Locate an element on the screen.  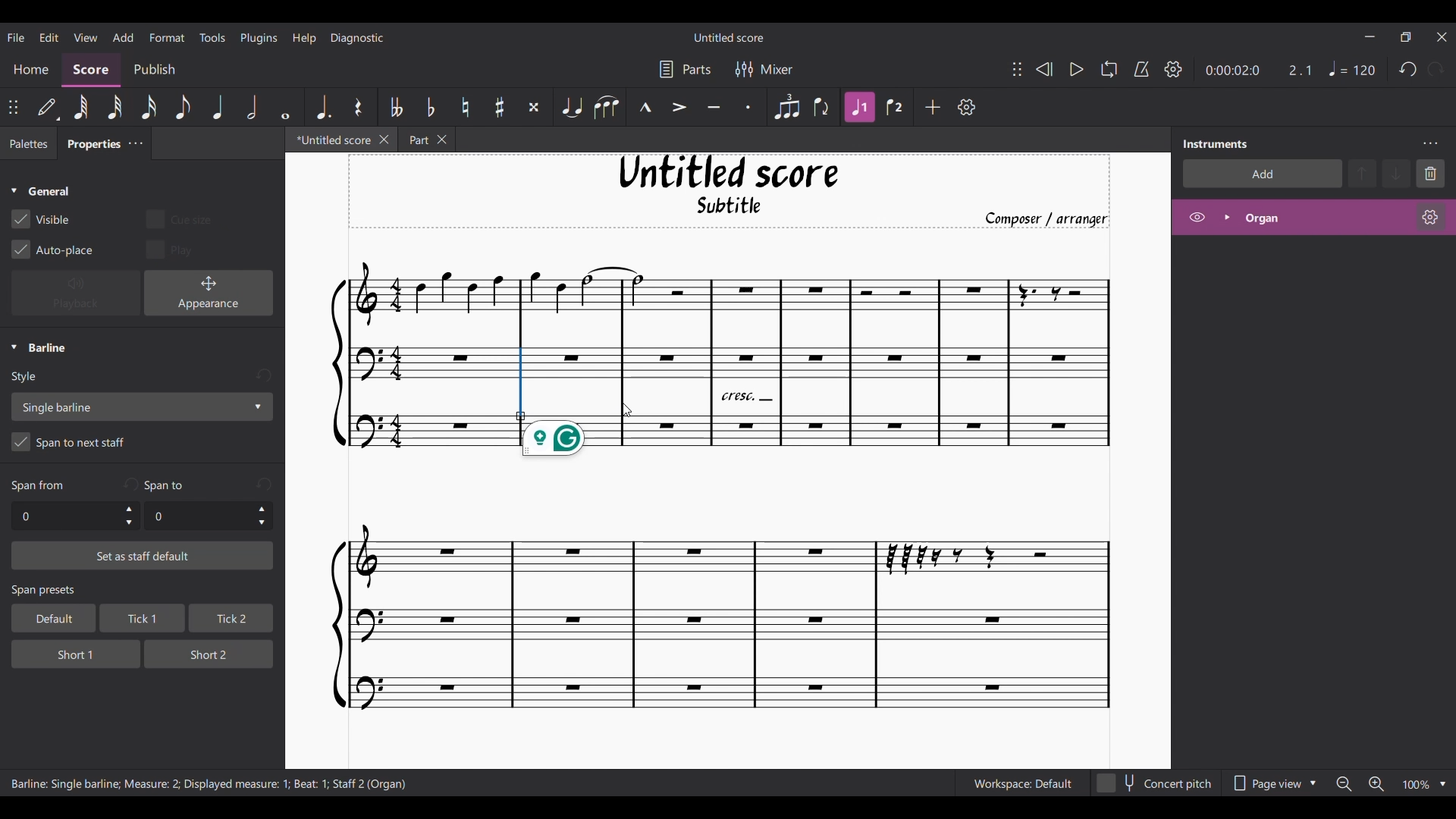
Current tab highlighted is located at coordinates (328, 142).